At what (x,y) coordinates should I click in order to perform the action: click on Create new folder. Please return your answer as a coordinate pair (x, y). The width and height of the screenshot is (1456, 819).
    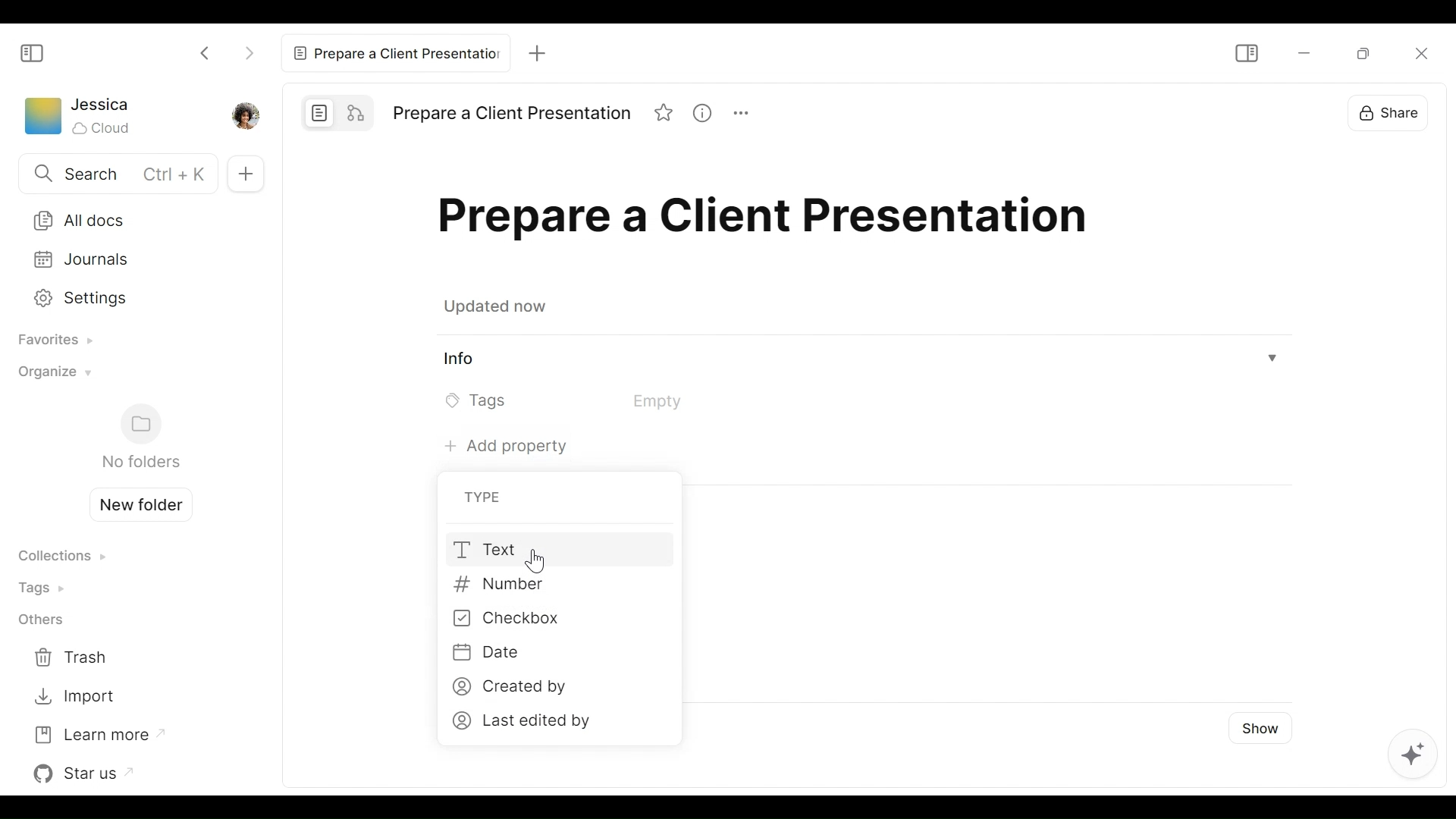
    Looking at the image, I should click on (135, 503).